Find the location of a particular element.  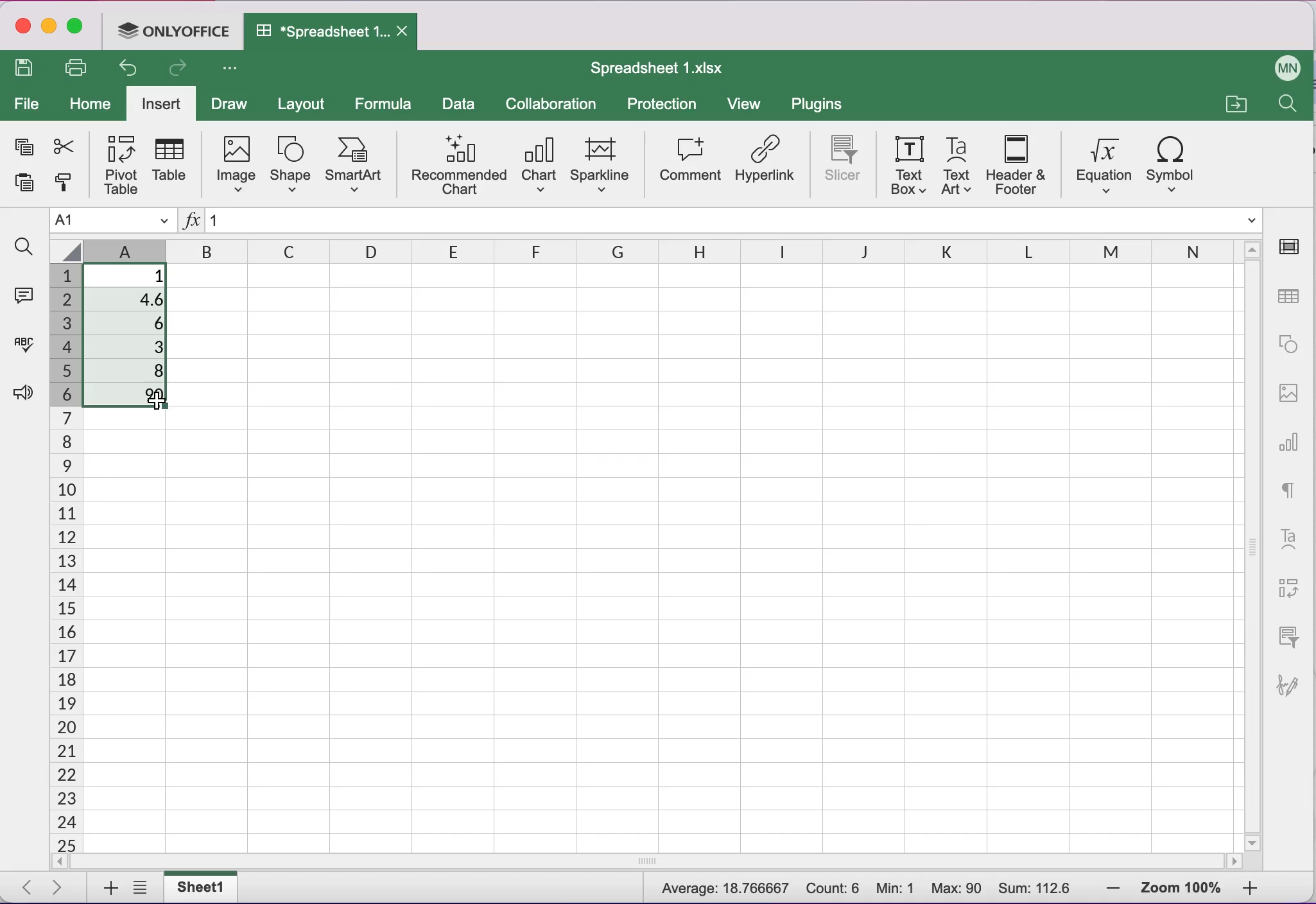

slicer is located at coordinates (1287, 640).